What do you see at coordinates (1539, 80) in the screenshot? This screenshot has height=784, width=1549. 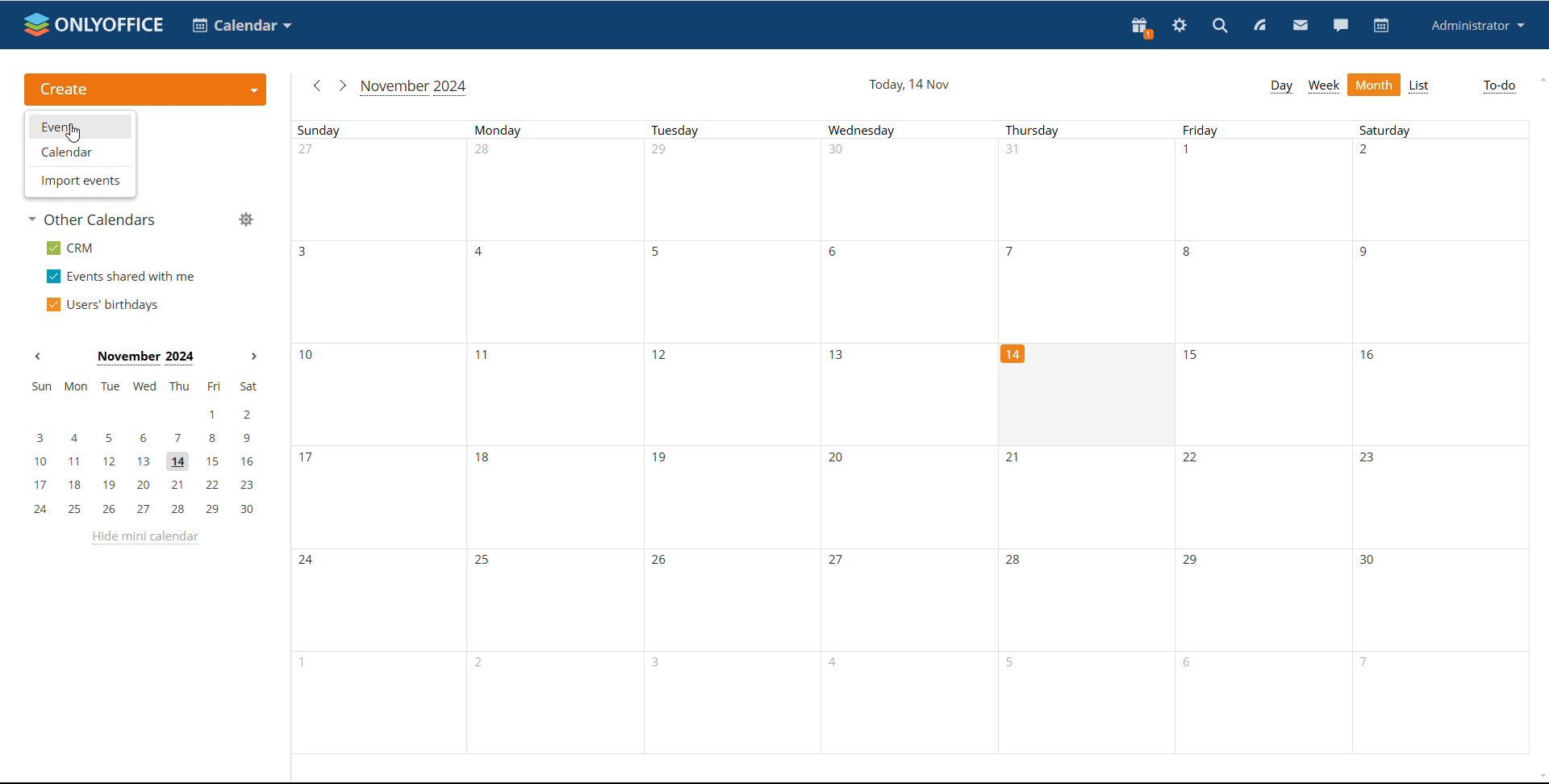 I see `scroll up` at bounding box center [1539, 80].